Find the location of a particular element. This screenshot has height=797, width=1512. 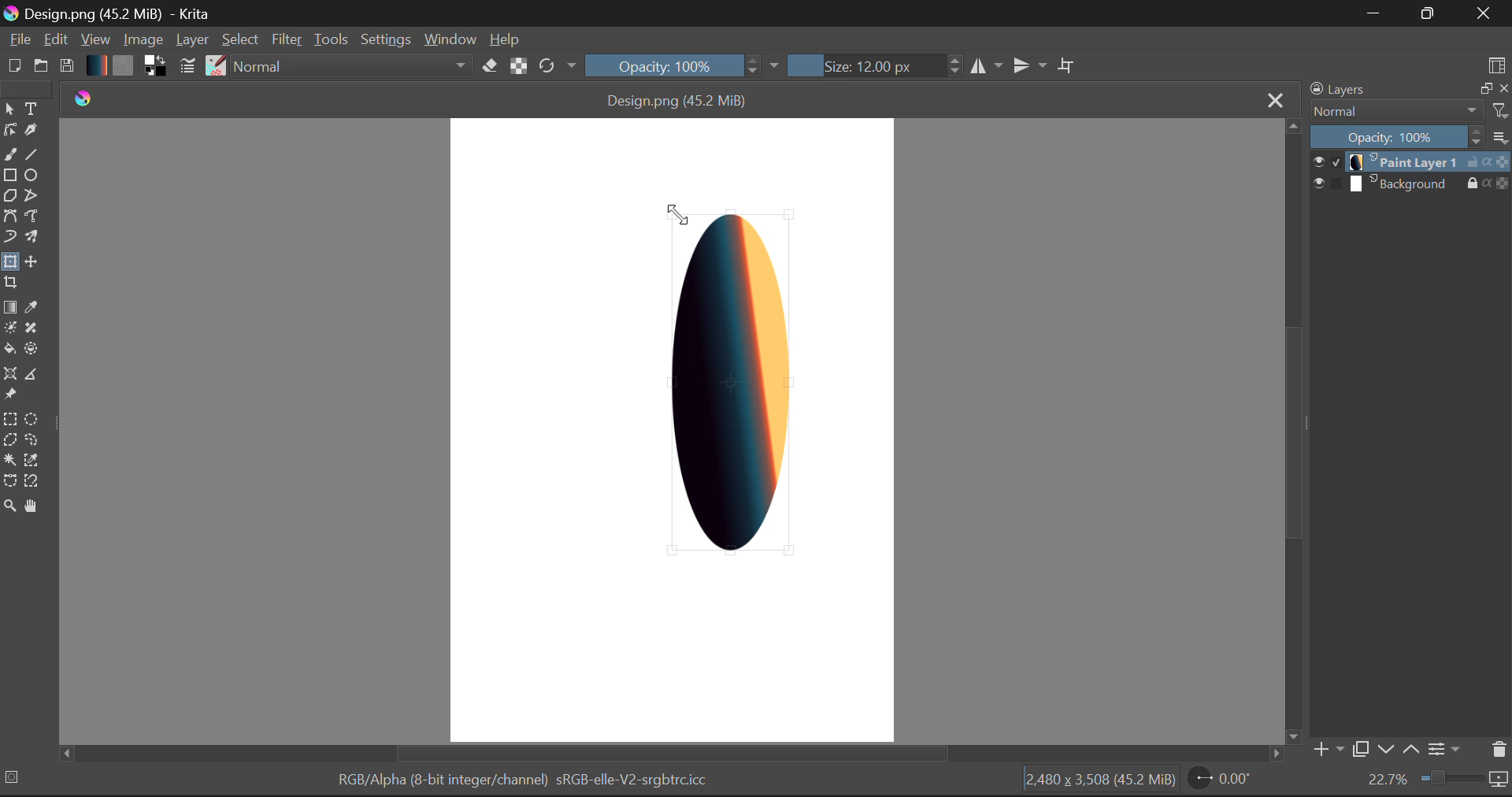

Calligraphic Curve is located at coordinates (31, 131).